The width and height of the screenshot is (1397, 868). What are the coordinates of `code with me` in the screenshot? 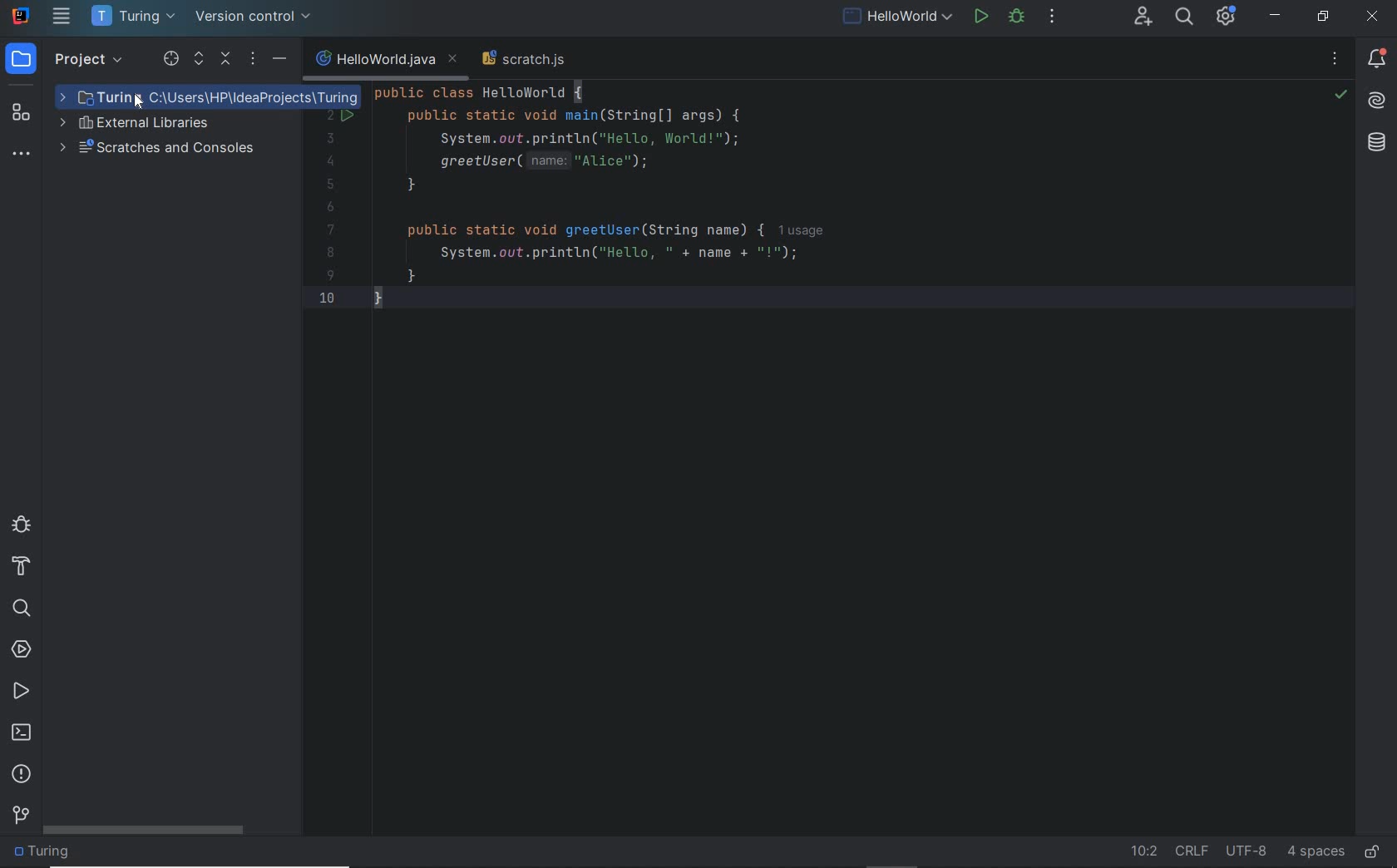 It's located at (1143, 22).